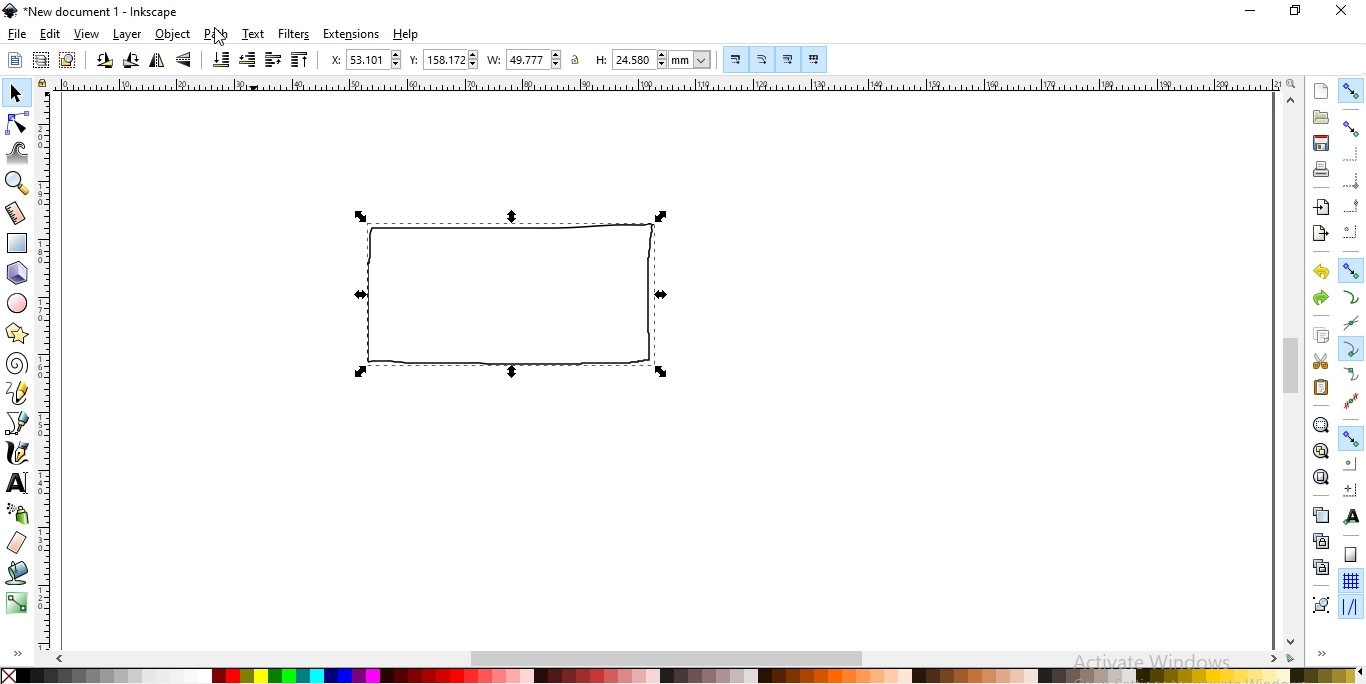 Image resolution: width=1366 pixels, height=684 pixels. I want to click on file, so click(15, 34).